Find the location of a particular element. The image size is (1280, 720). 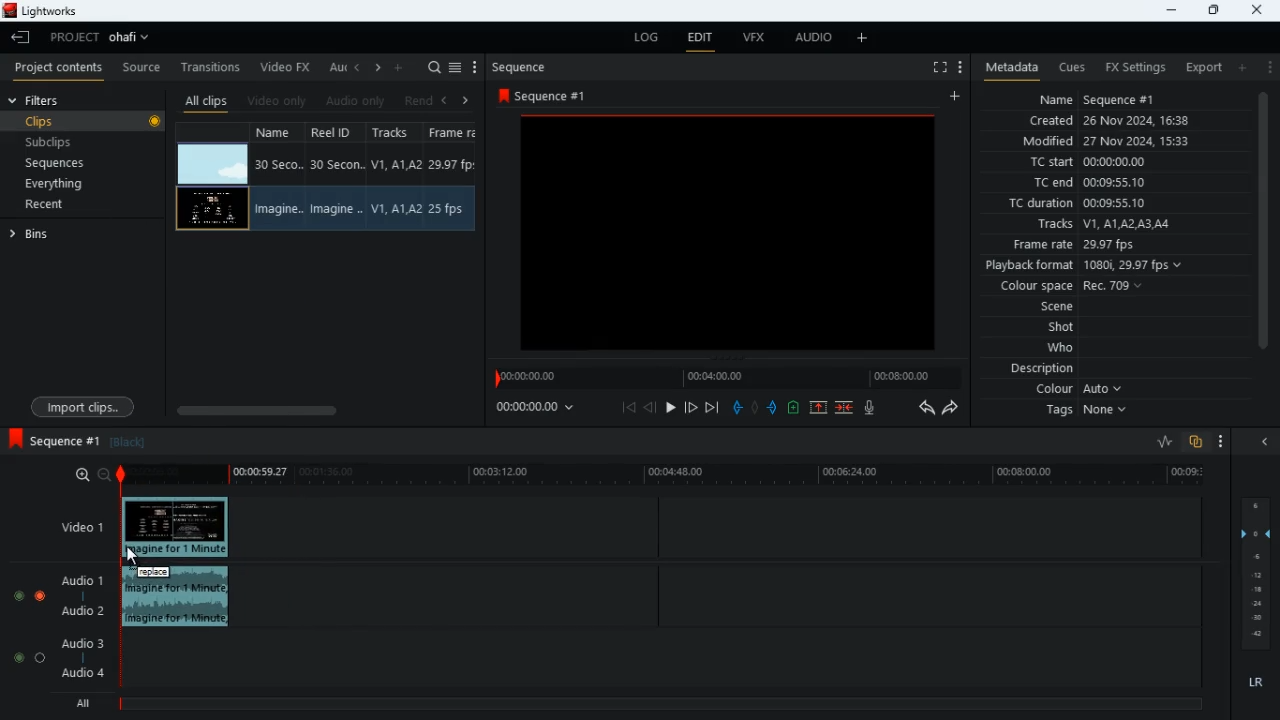

sequences is located at coordinates (70, 163).